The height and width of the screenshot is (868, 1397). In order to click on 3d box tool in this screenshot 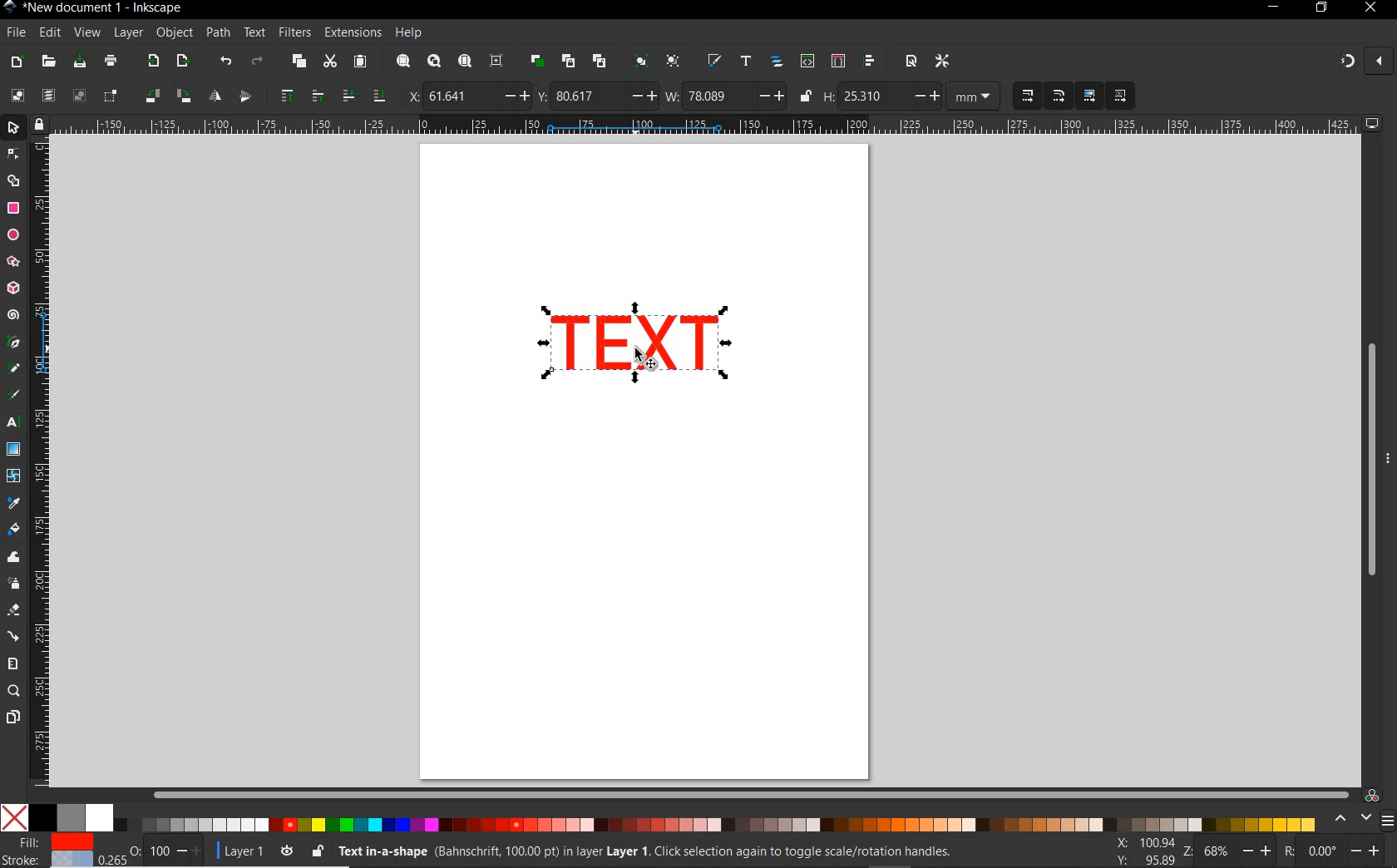, I will do `click(15, 287)`.